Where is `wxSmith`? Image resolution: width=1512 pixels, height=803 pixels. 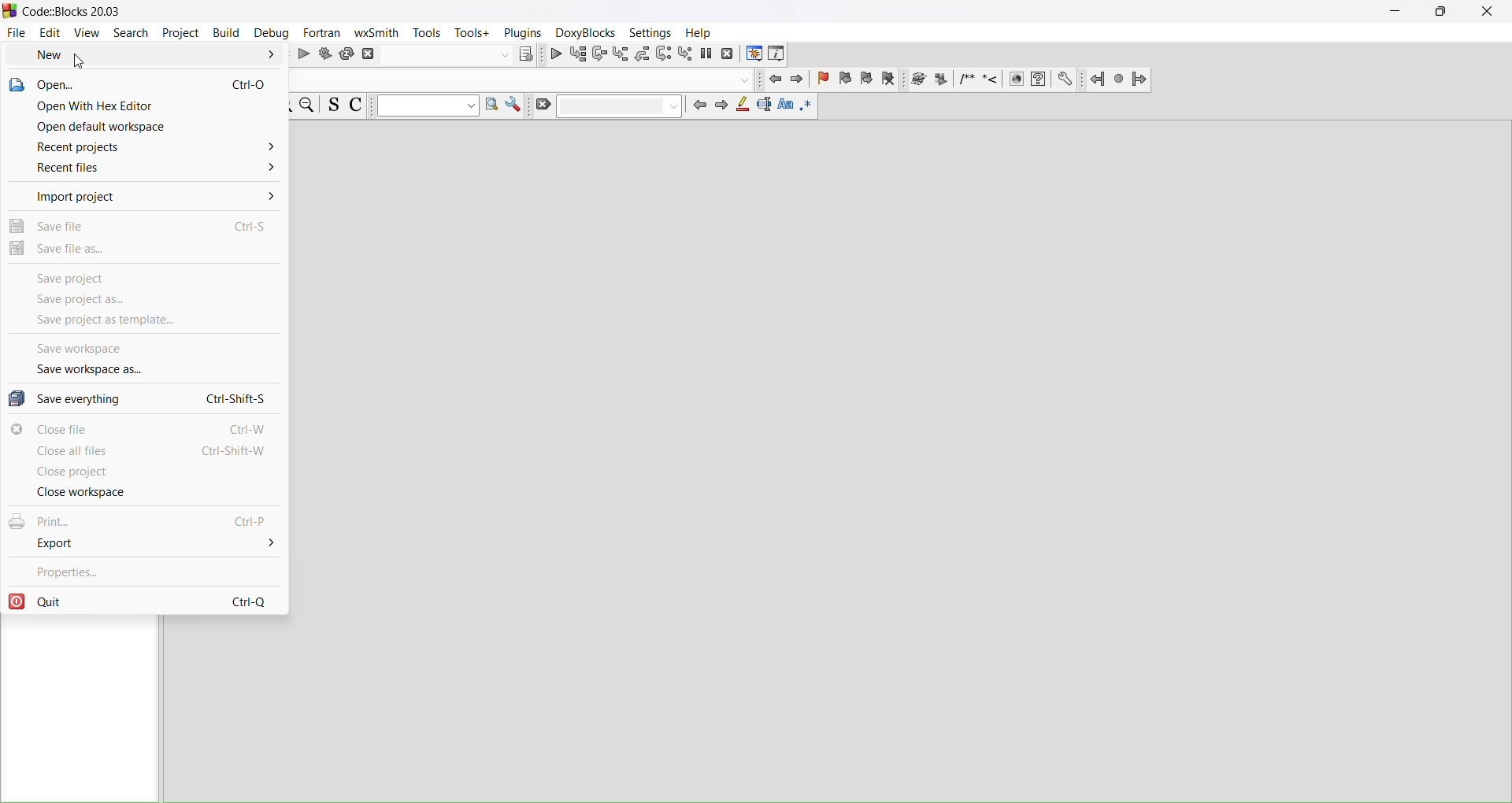 wxSmith is located at coordinates (376, 34).